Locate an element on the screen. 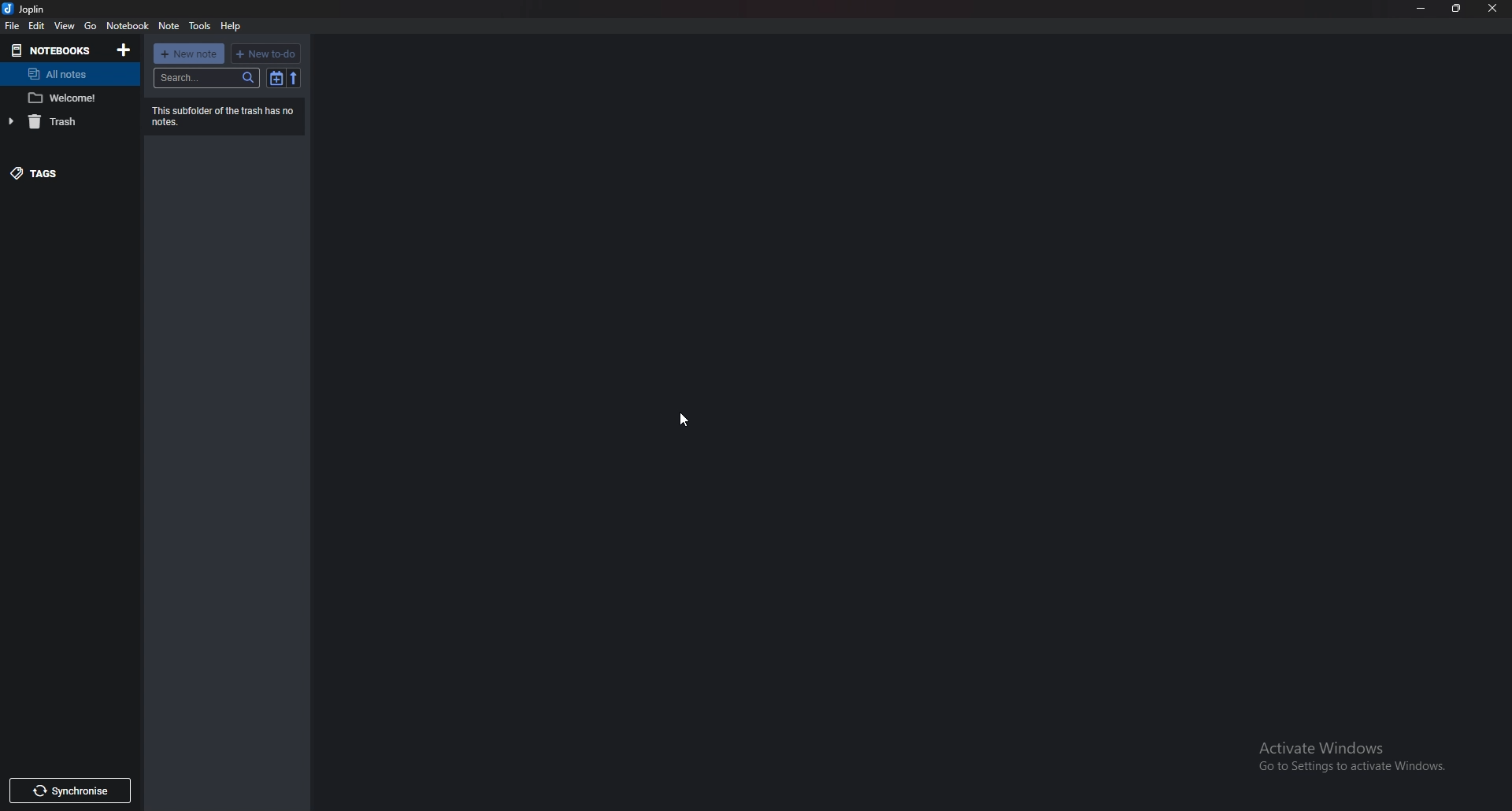 This screenshot has height=811, width=1512. Trash is located at coordinates (61, 124).